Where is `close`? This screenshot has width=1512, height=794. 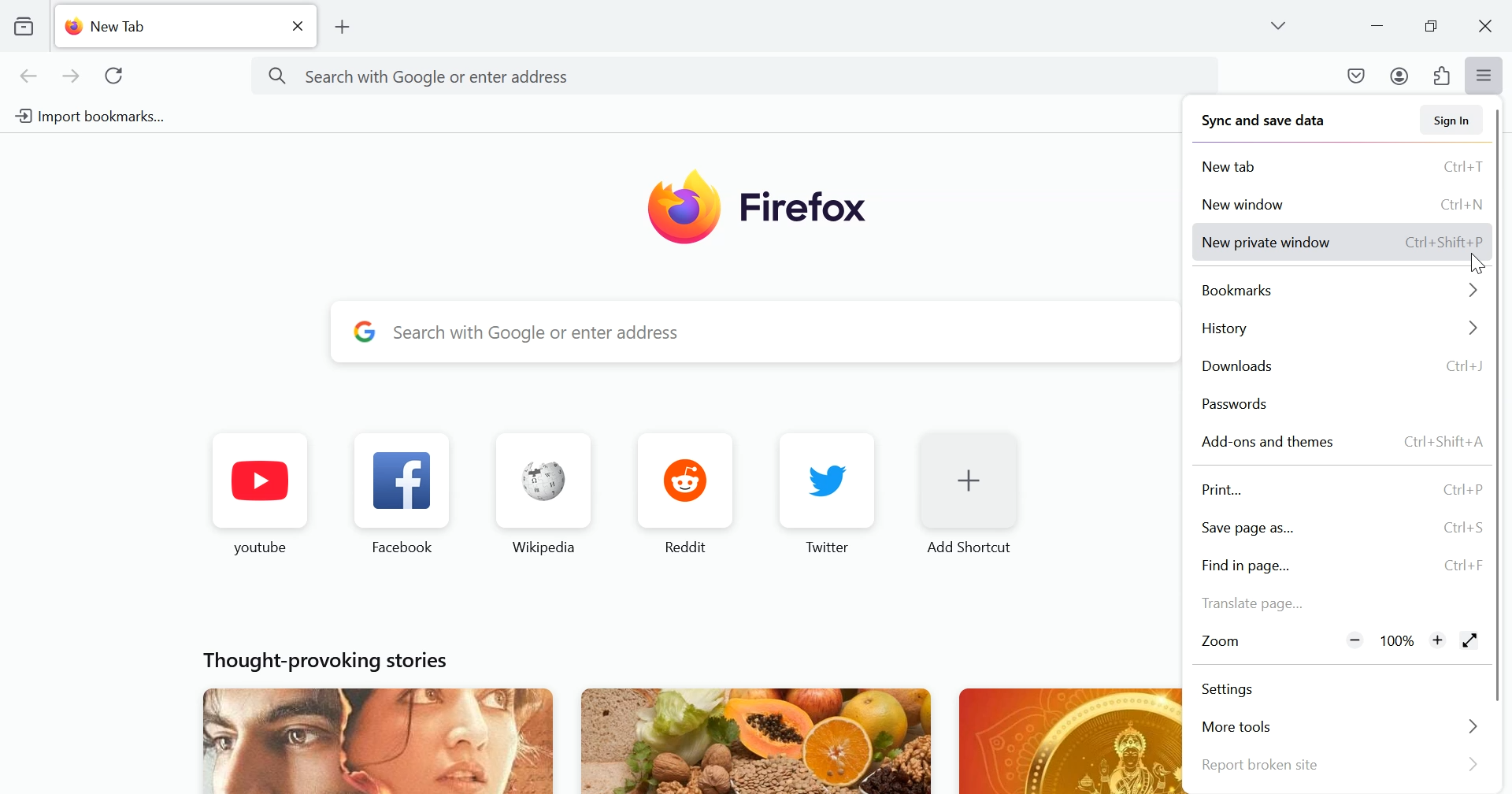
close is located at coordinates (297, 25).